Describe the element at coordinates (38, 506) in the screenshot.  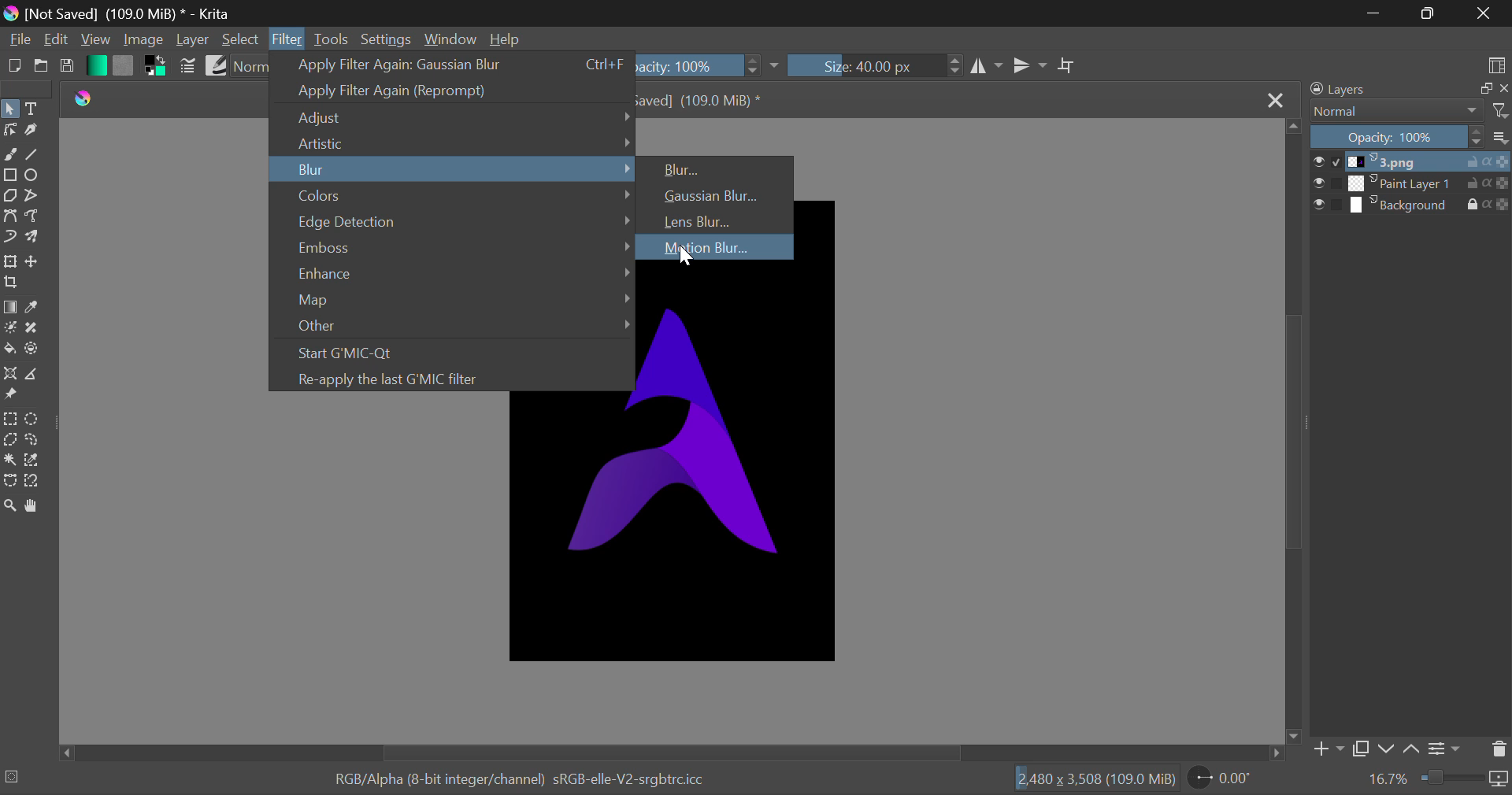
I see `Pan` at that location.